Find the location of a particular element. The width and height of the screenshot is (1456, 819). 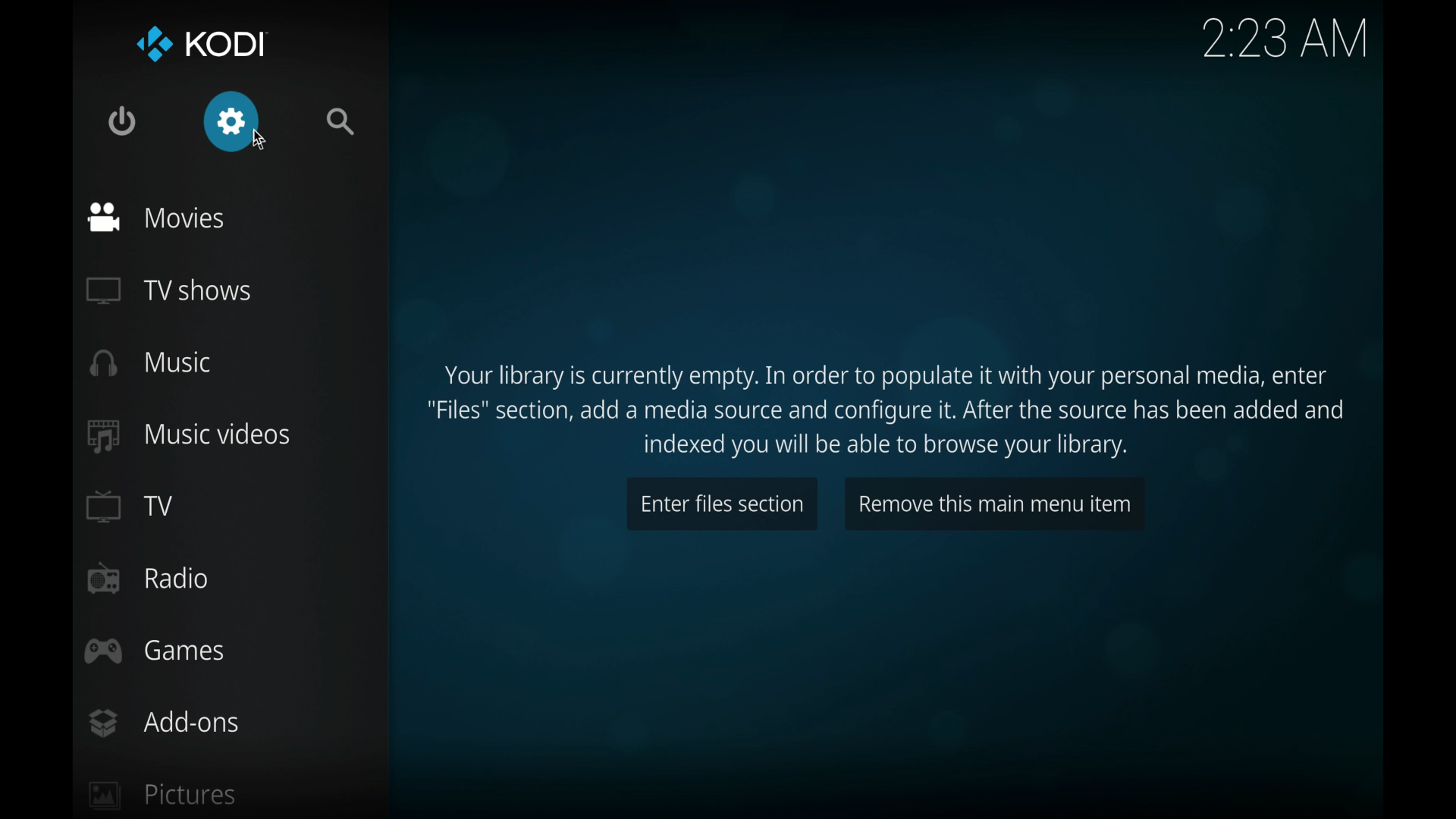

tv is located at coordinates (131, 507).